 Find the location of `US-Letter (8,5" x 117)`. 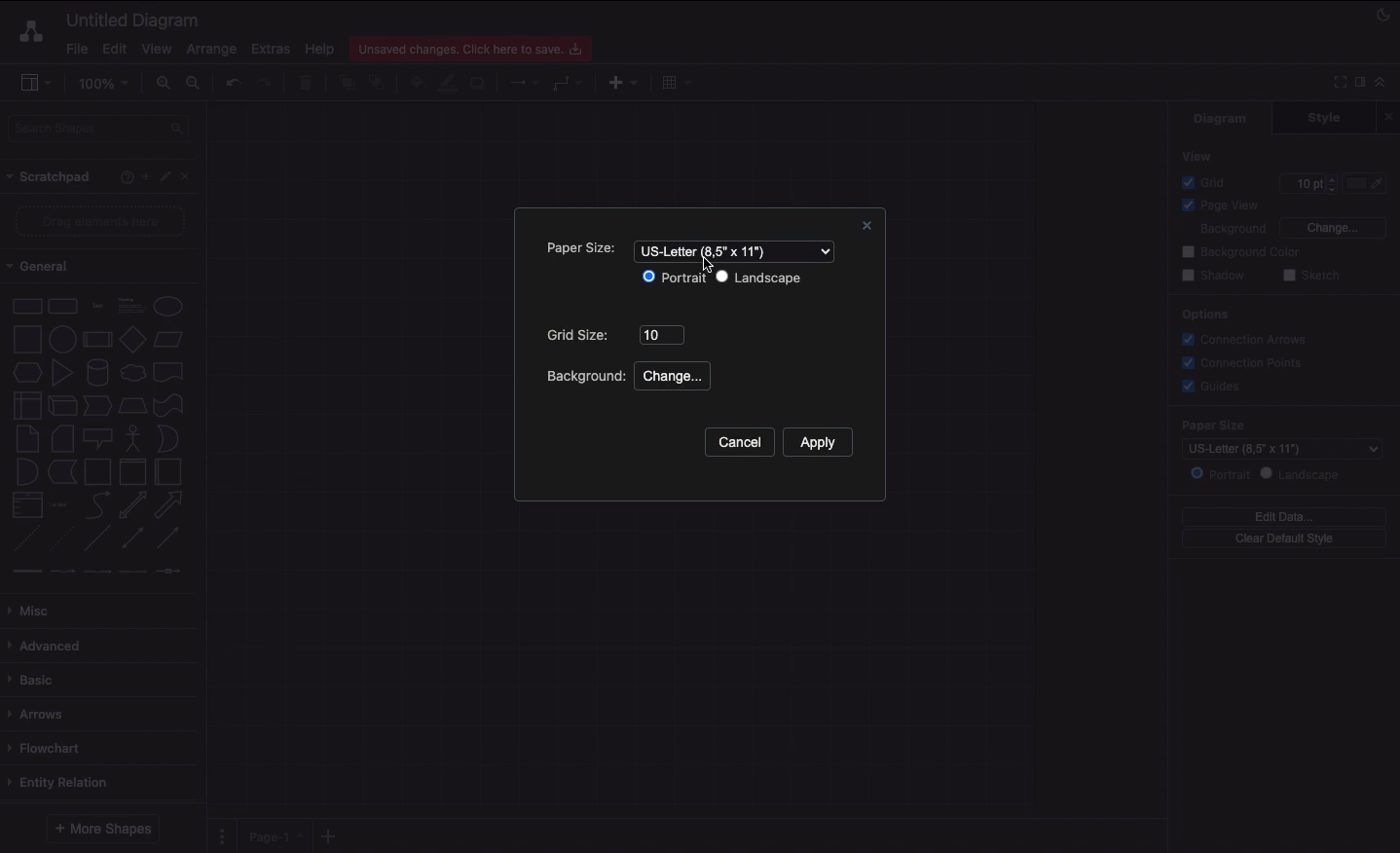

US-Letter (8,5" x 117) is located at coordinates (736, 250).